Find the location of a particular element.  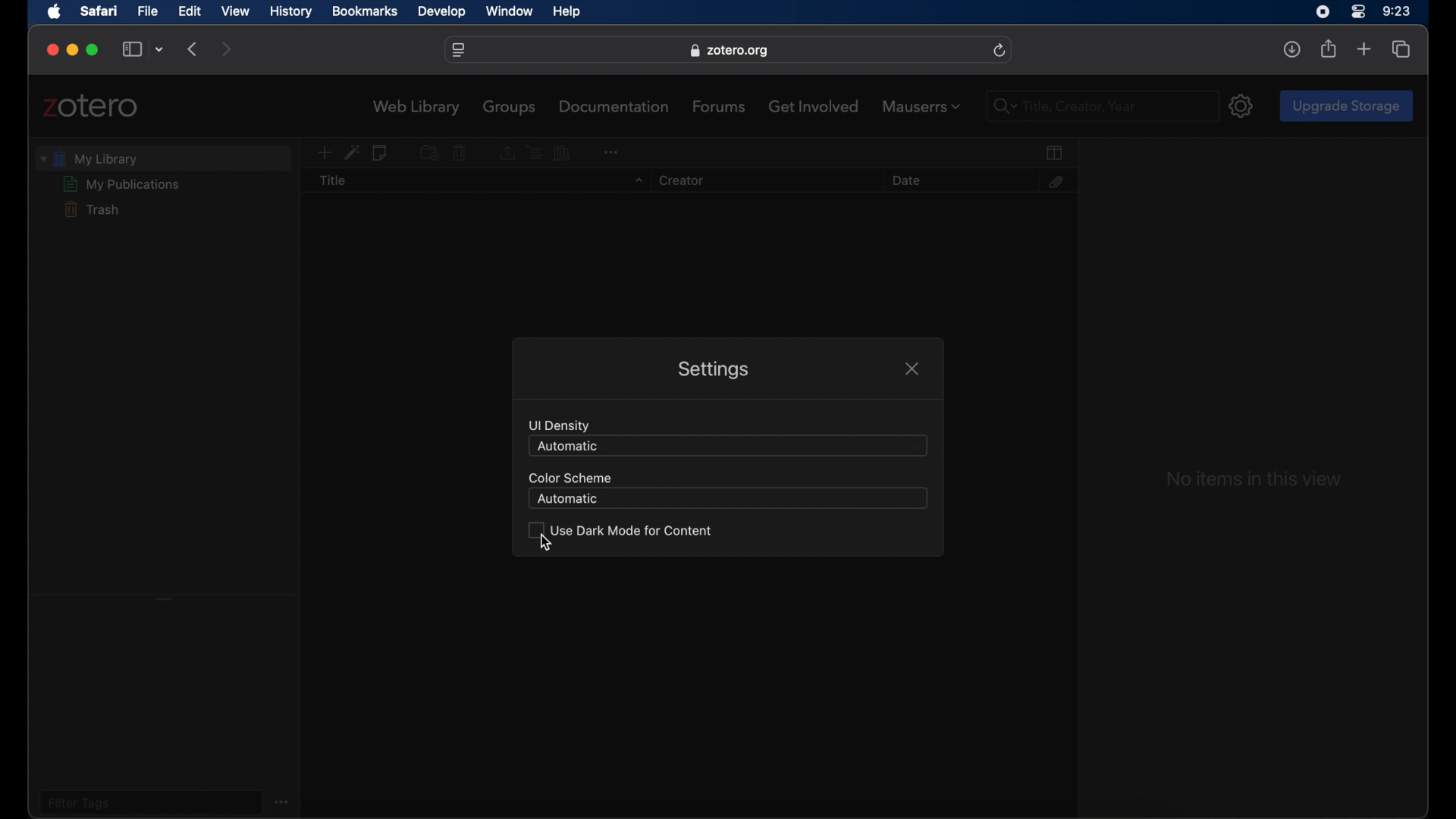

zotero is located at coordinates (91, 106).